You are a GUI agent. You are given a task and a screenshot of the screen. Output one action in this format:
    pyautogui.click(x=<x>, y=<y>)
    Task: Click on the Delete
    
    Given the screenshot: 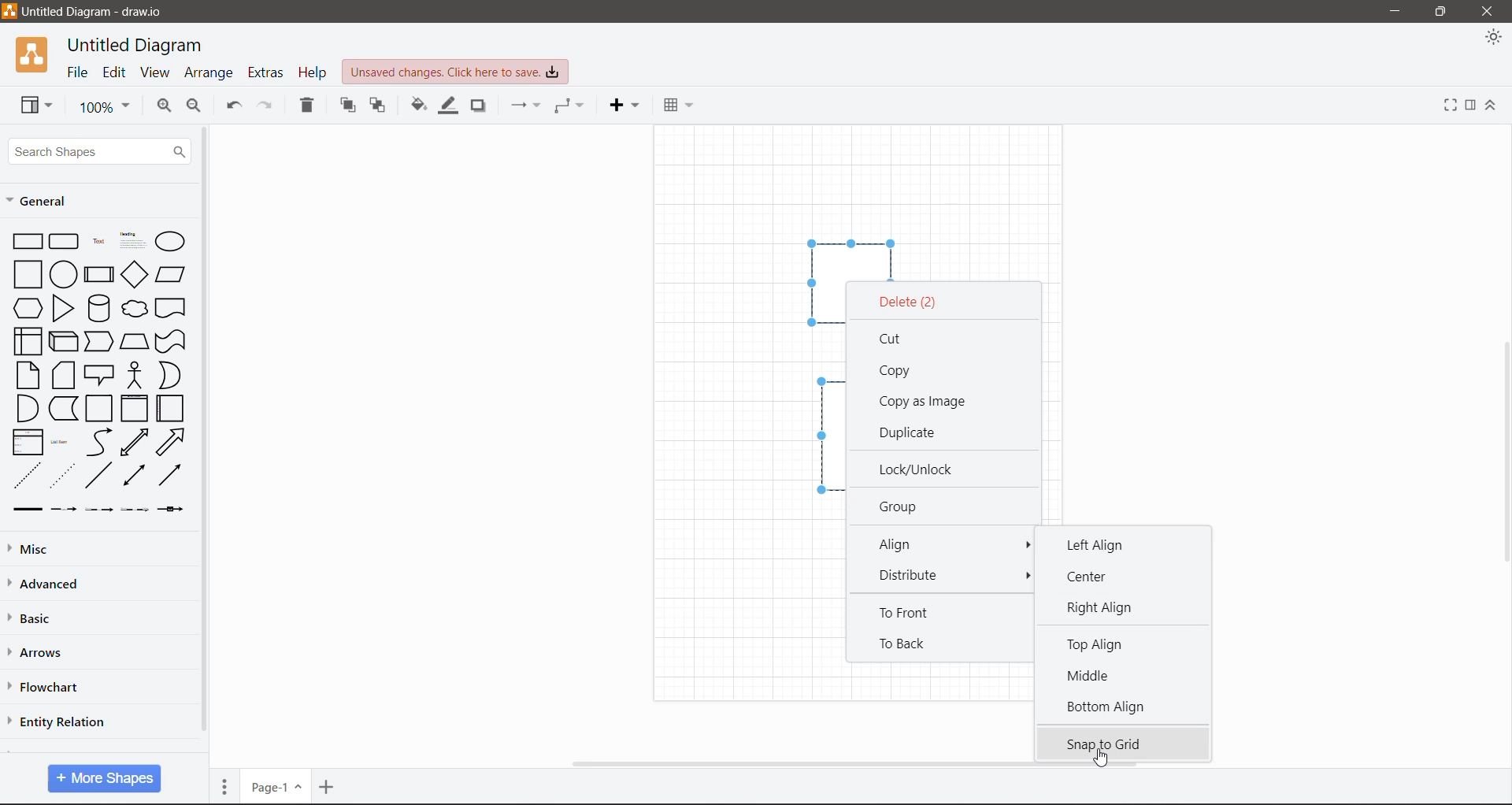 What is the action you would take?
    pyautogui.click(x=306, y=107)
    